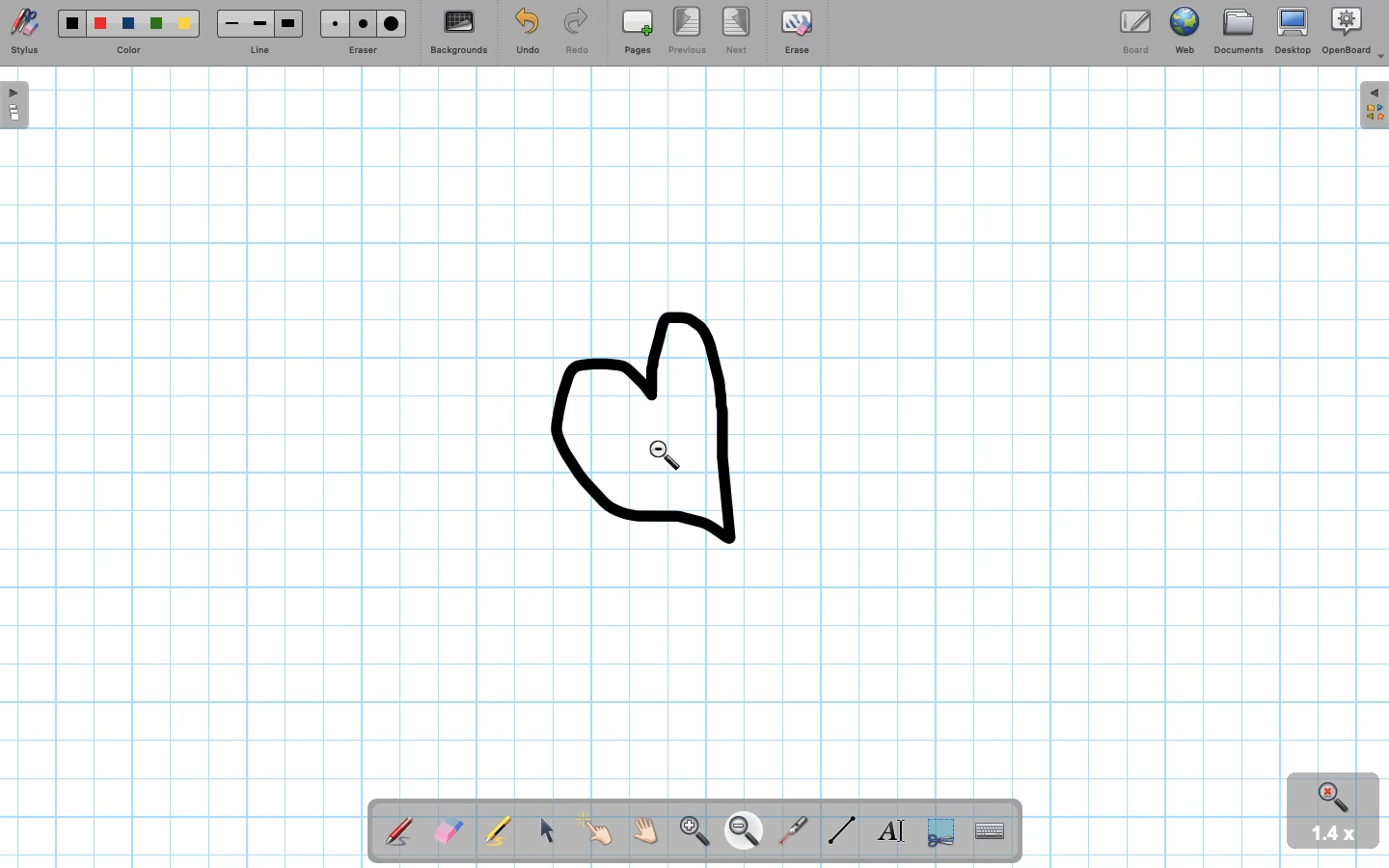  I want to click on Next, so click(737, 30).